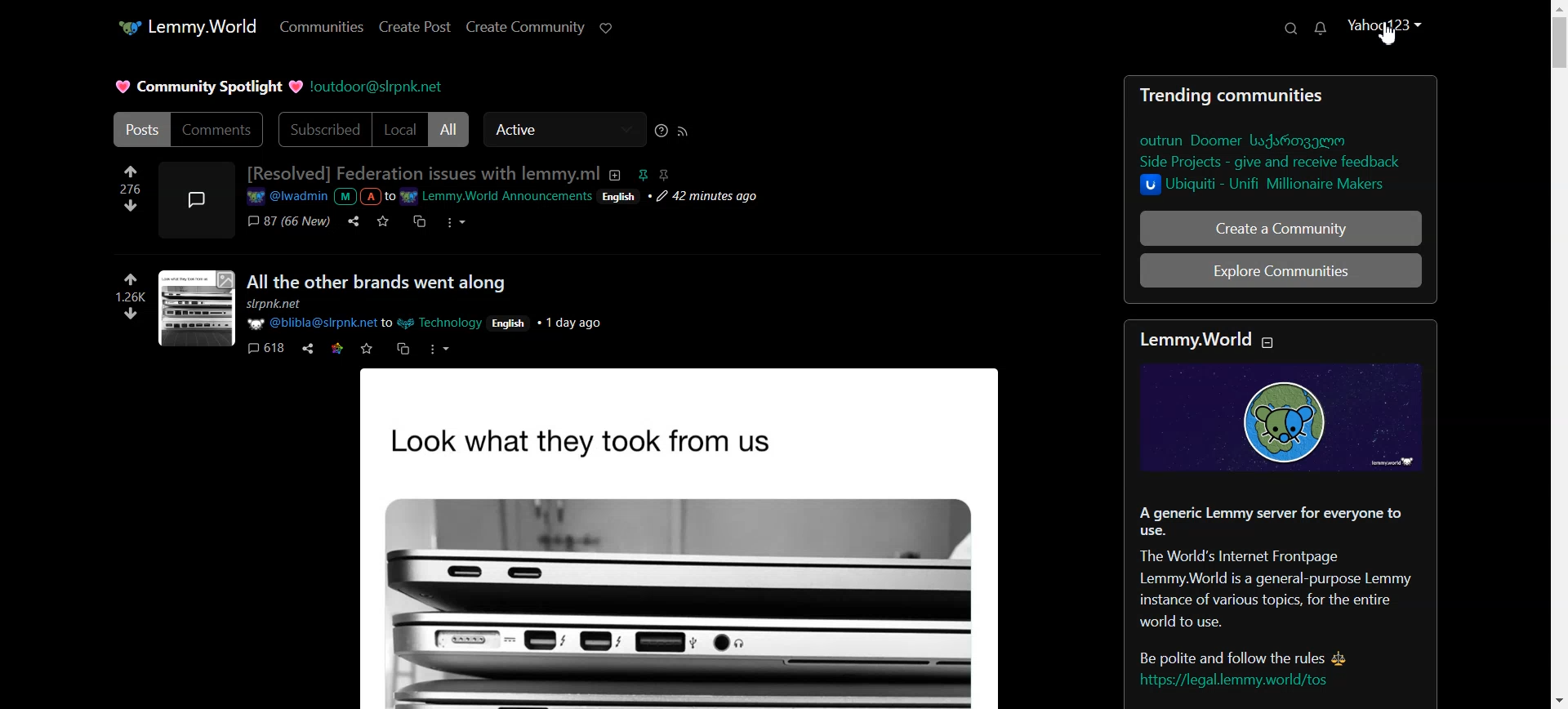 The width and height of the screenshot is (1568, 709). What do you see at coordinates (402, 348) in the screenshot?
I see `copy` at bounding box center [402, 348].